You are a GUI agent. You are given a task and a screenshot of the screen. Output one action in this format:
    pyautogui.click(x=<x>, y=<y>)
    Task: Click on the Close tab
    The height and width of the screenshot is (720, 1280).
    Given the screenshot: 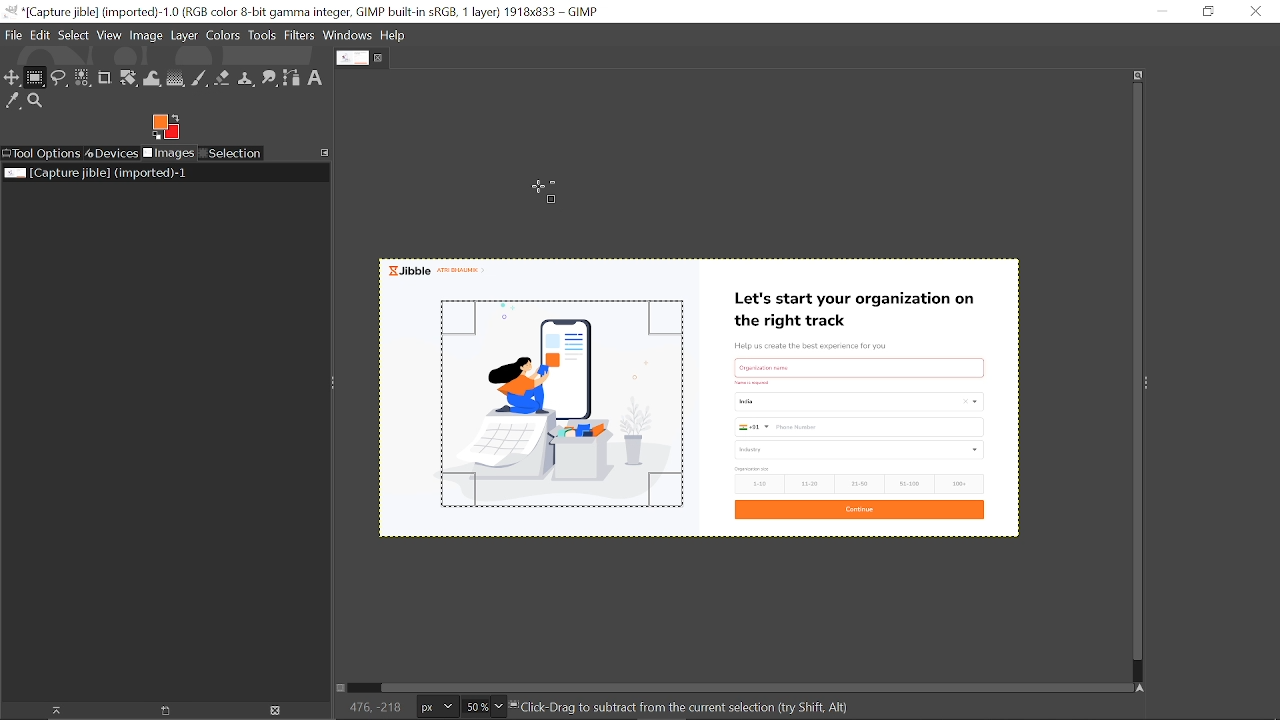 What is the action you would take?
    pyautogui.click(x=381, y=58)
    